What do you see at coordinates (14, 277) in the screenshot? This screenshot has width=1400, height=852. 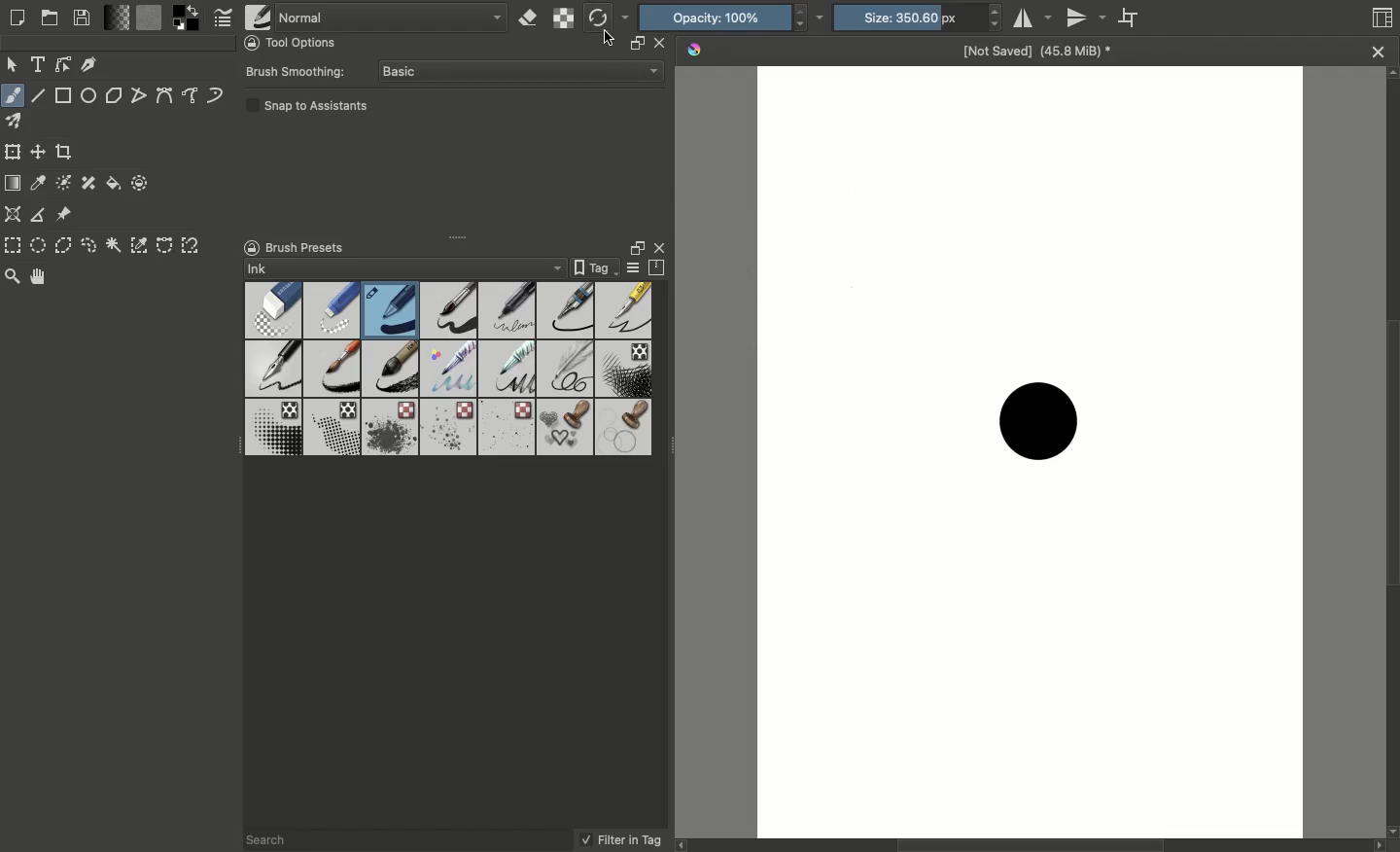 I see `Zoom` at bounding box center [14, 277].